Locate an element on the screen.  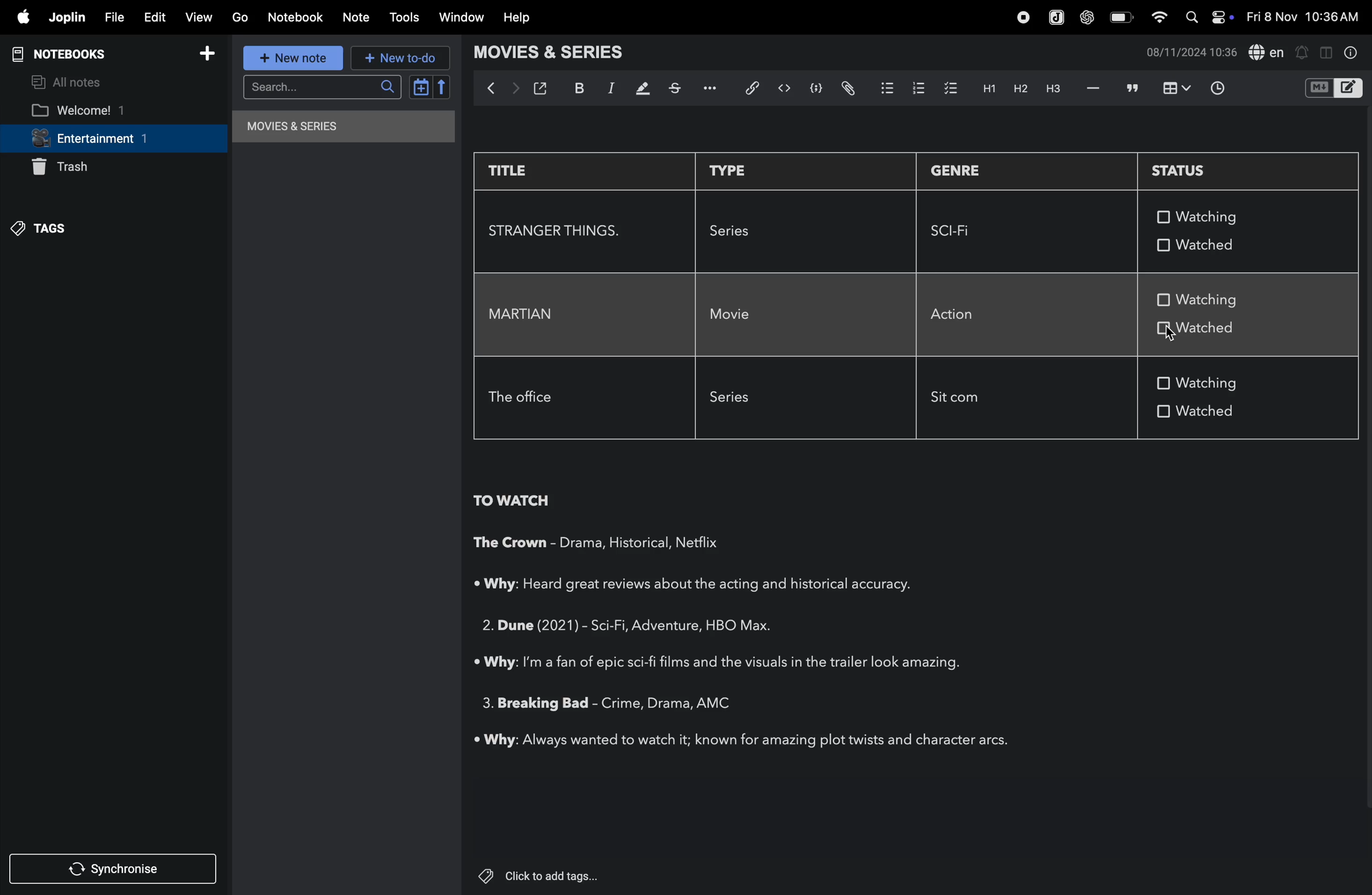
check box is located at coordinates (1160, 217).